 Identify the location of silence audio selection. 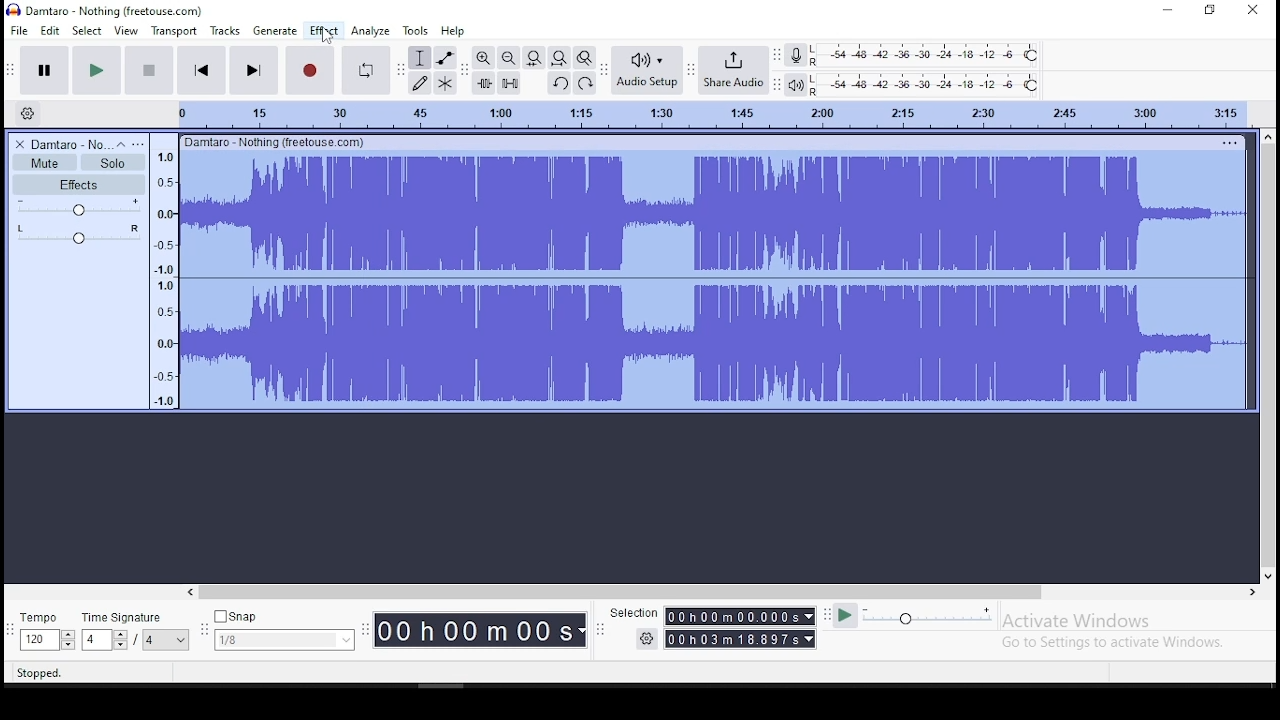
(510, 82).